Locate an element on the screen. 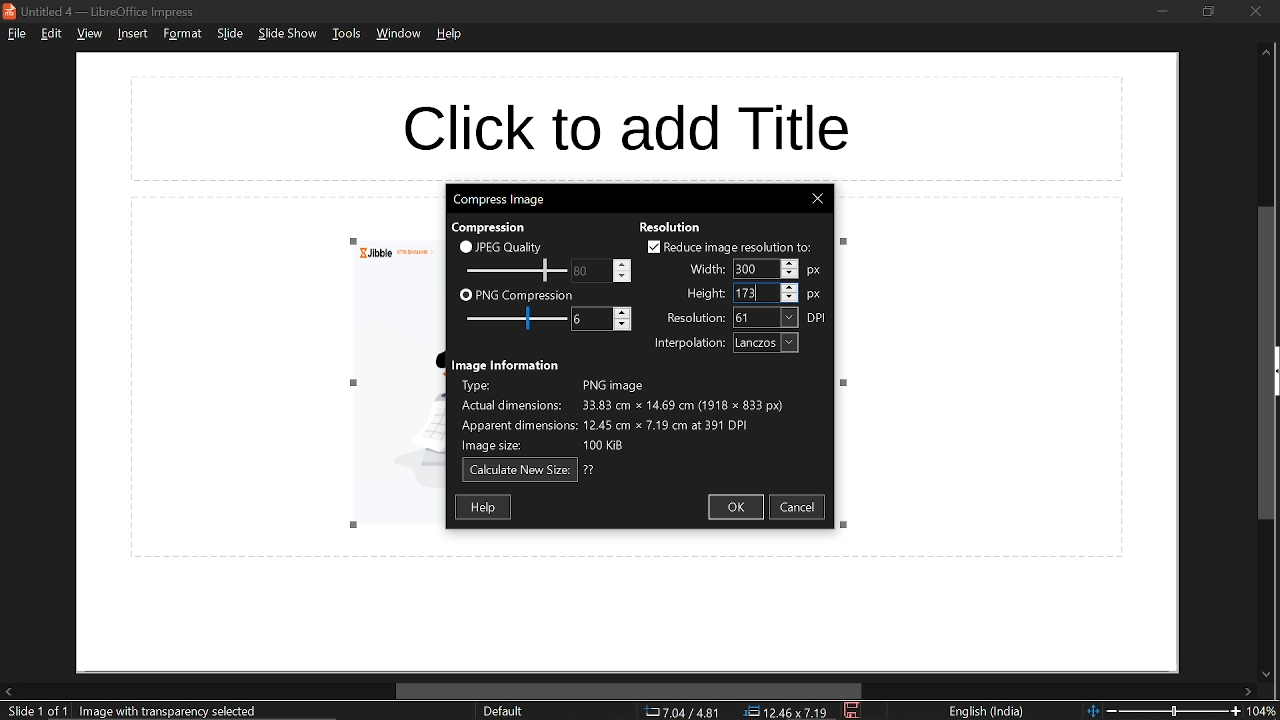  save is located at coordinates (852, 711).